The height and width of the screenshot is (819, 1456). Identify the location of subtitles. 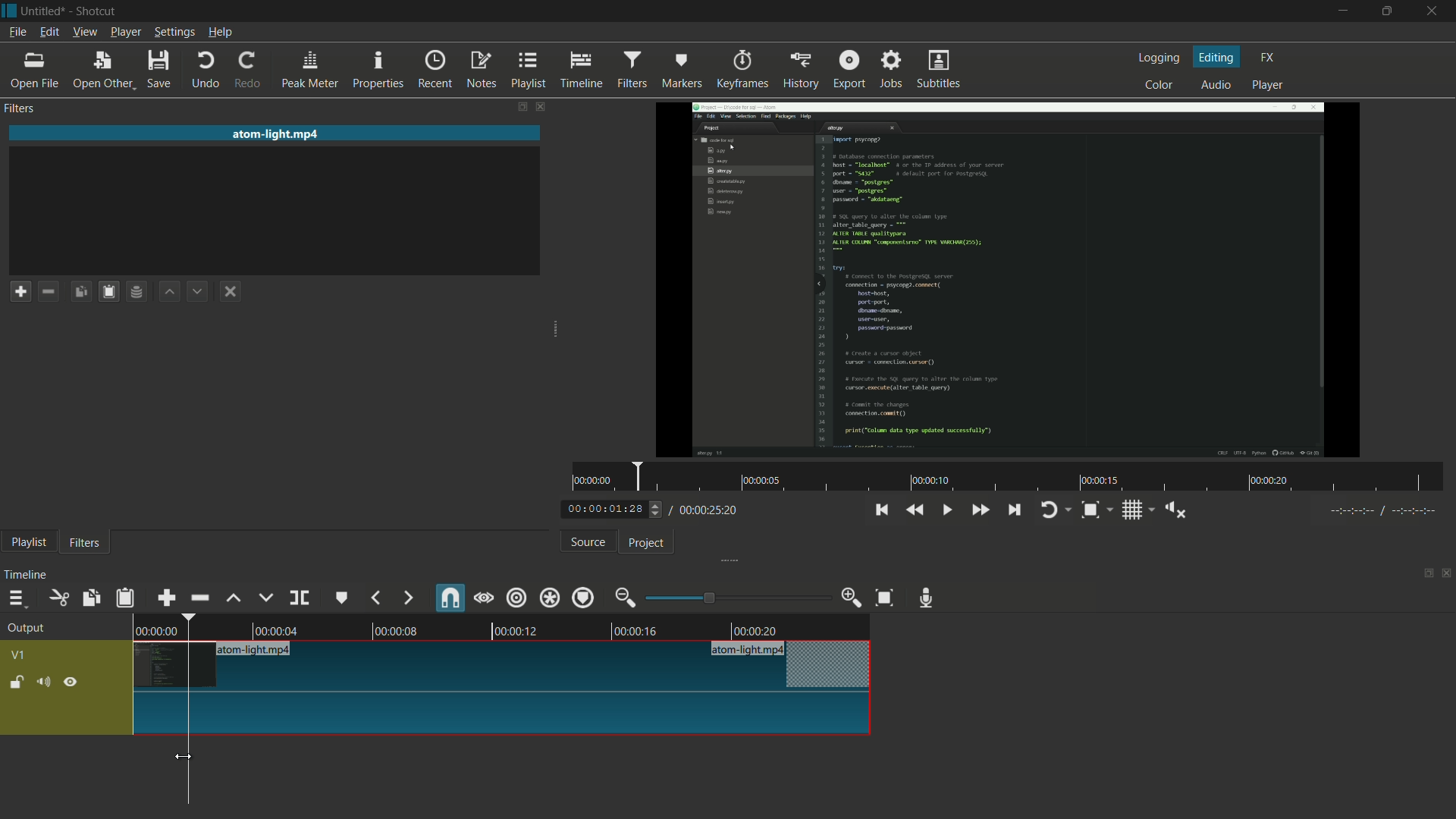
(941, 71).